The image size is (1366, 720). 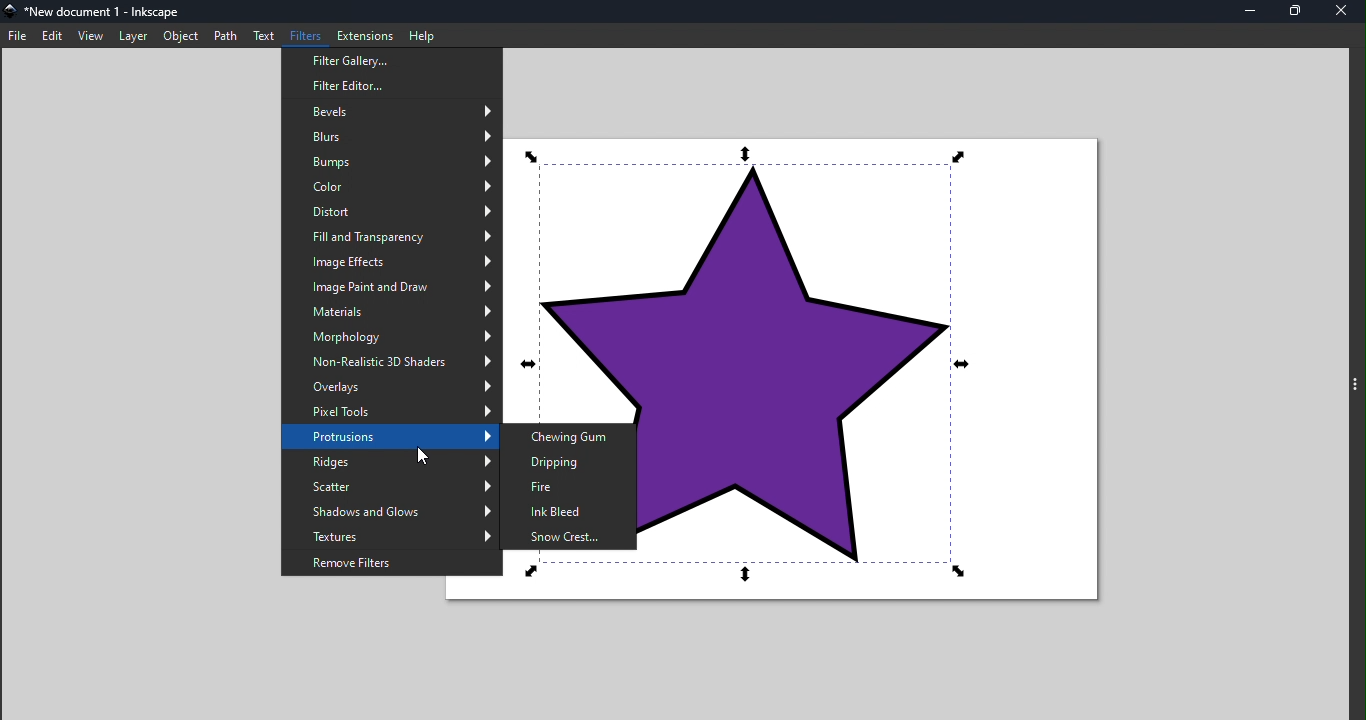 What do you see at coordinates (1296, 12) in the screenshot?
I see `Maximize` at bounding box center [1296, 12].